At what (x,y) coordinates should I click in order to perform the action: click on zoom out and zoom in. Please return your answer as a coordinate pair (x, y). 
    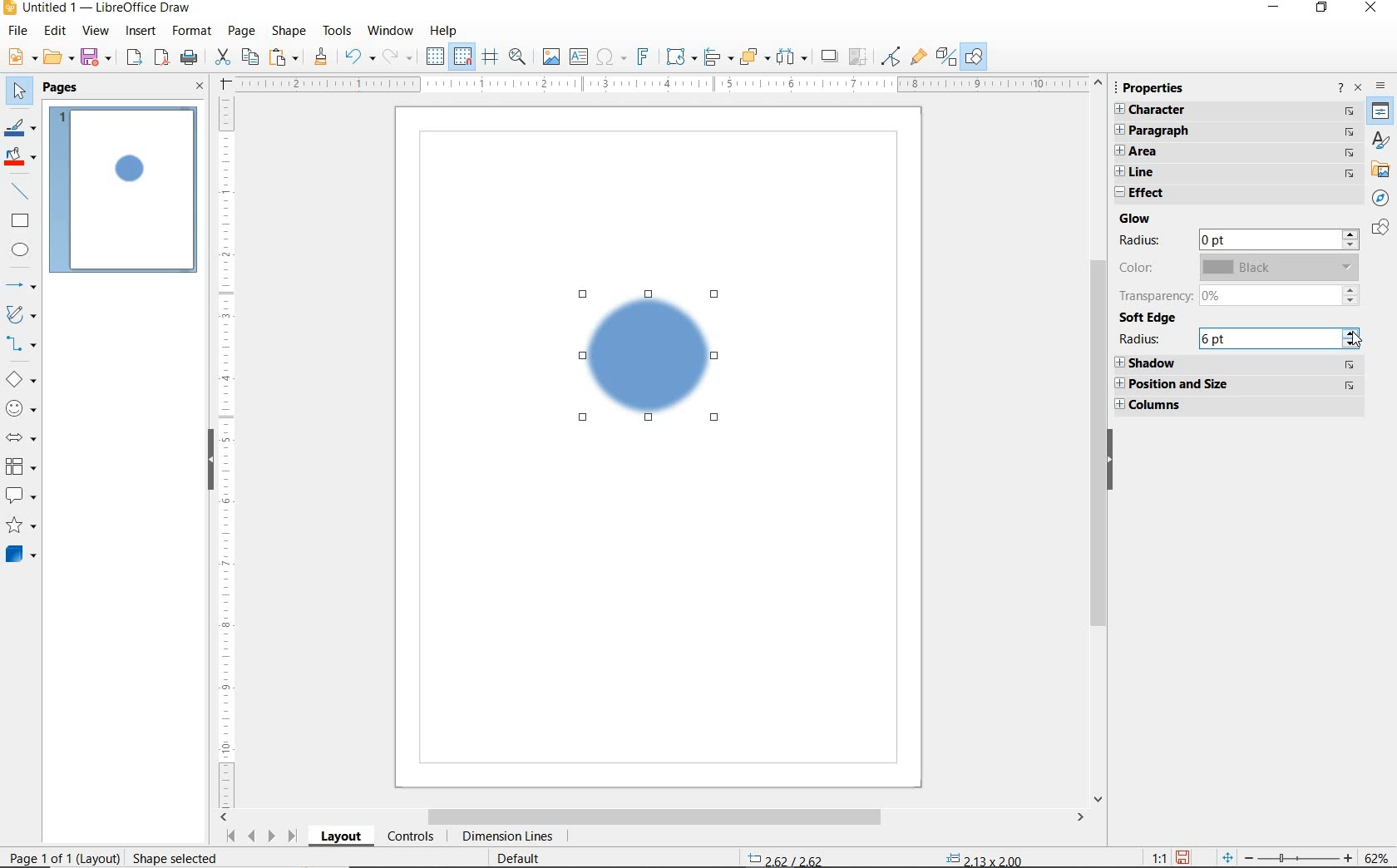
    Looking at the image, I should click on (1286, 856).